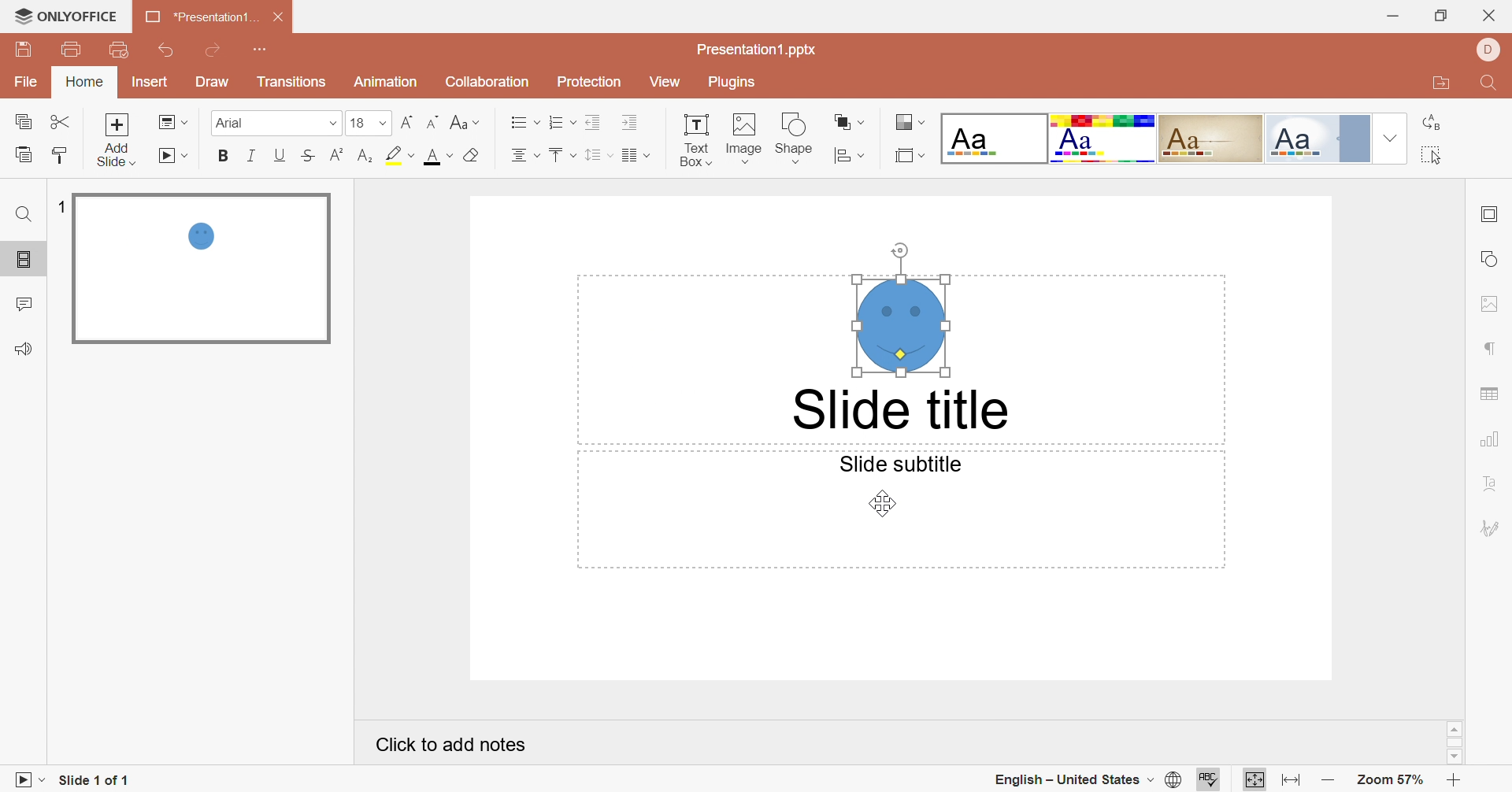 The width and height of the screenshot is (1512, 792). I want to click on Paste, so click(22, 154).